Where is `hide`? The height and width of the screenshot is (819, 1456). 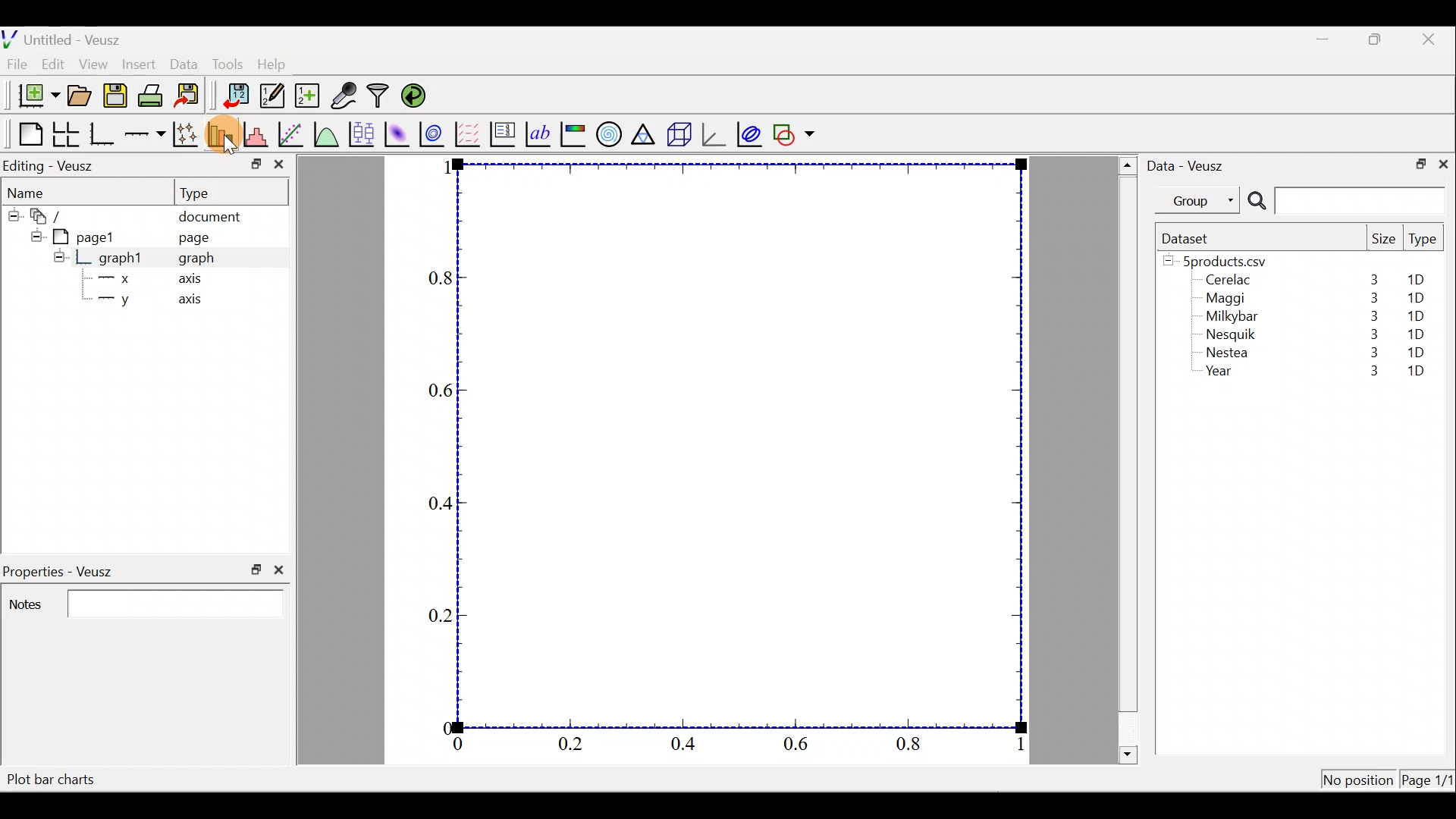
hide is located at coordinates (12, 213).